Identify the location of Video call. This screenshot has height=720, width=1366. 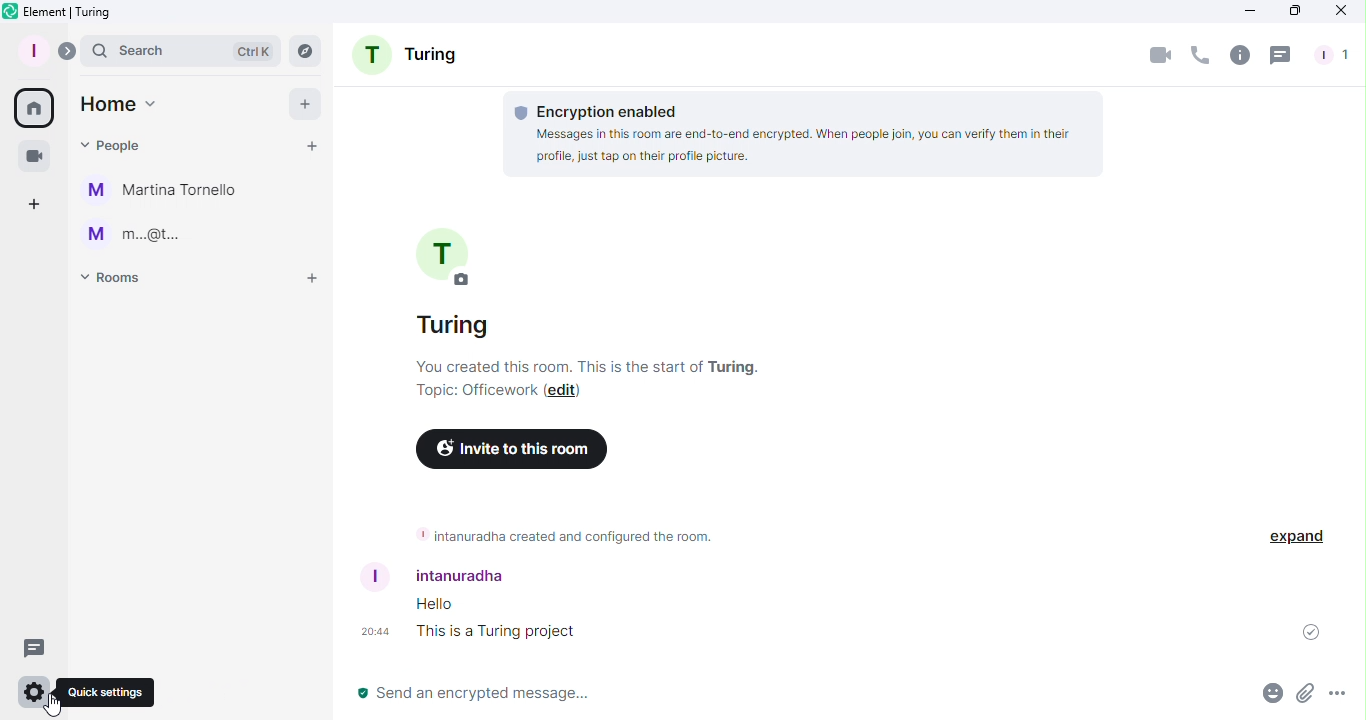
(1157, 58).